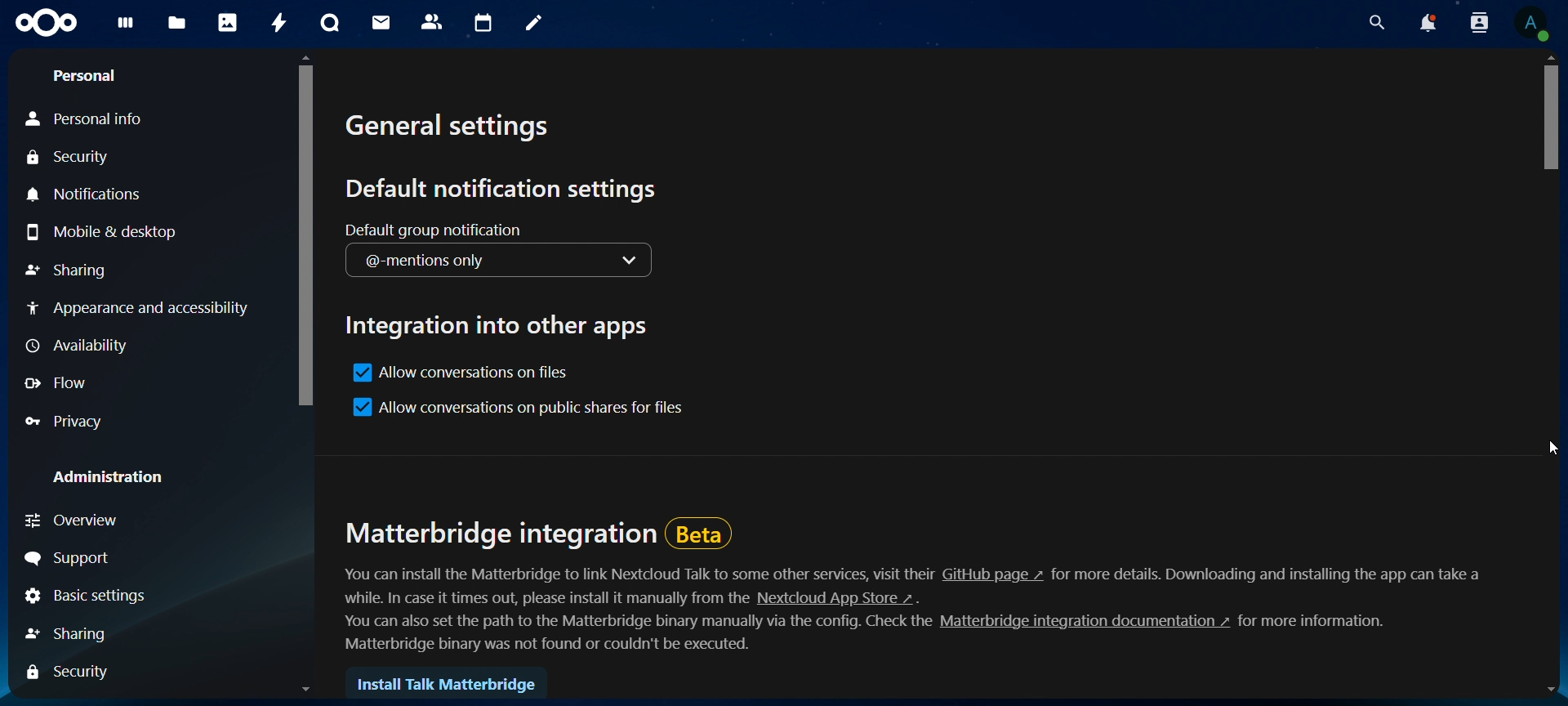 The height and width of the screenshot is (706, 1568). What do you see at coordinates (382, 25) in the screenshot?
I see `mail` at bounding box center [382, 25].